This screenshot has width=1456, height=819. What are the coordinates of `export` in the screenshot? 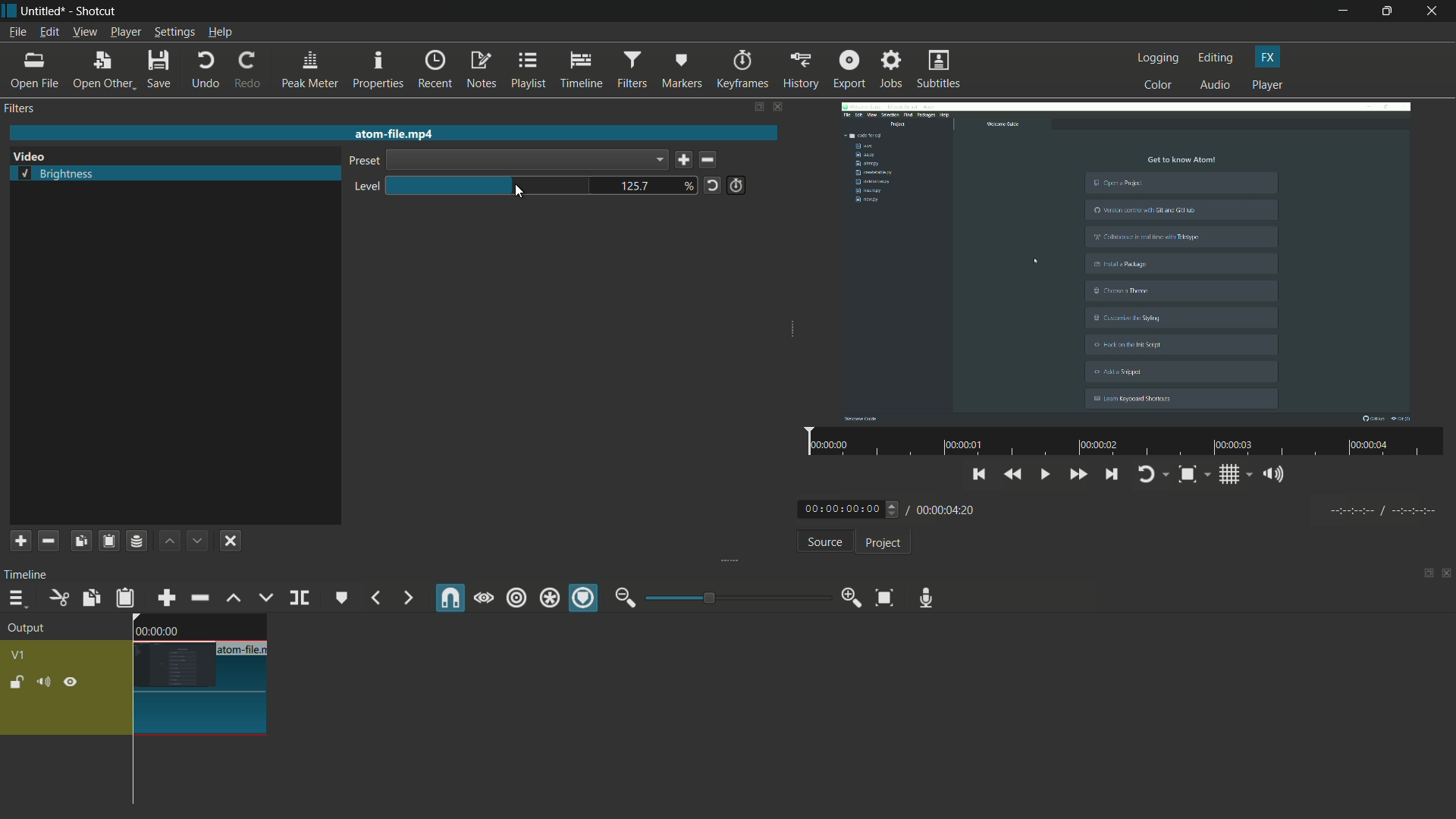 It's located at (848, 69).